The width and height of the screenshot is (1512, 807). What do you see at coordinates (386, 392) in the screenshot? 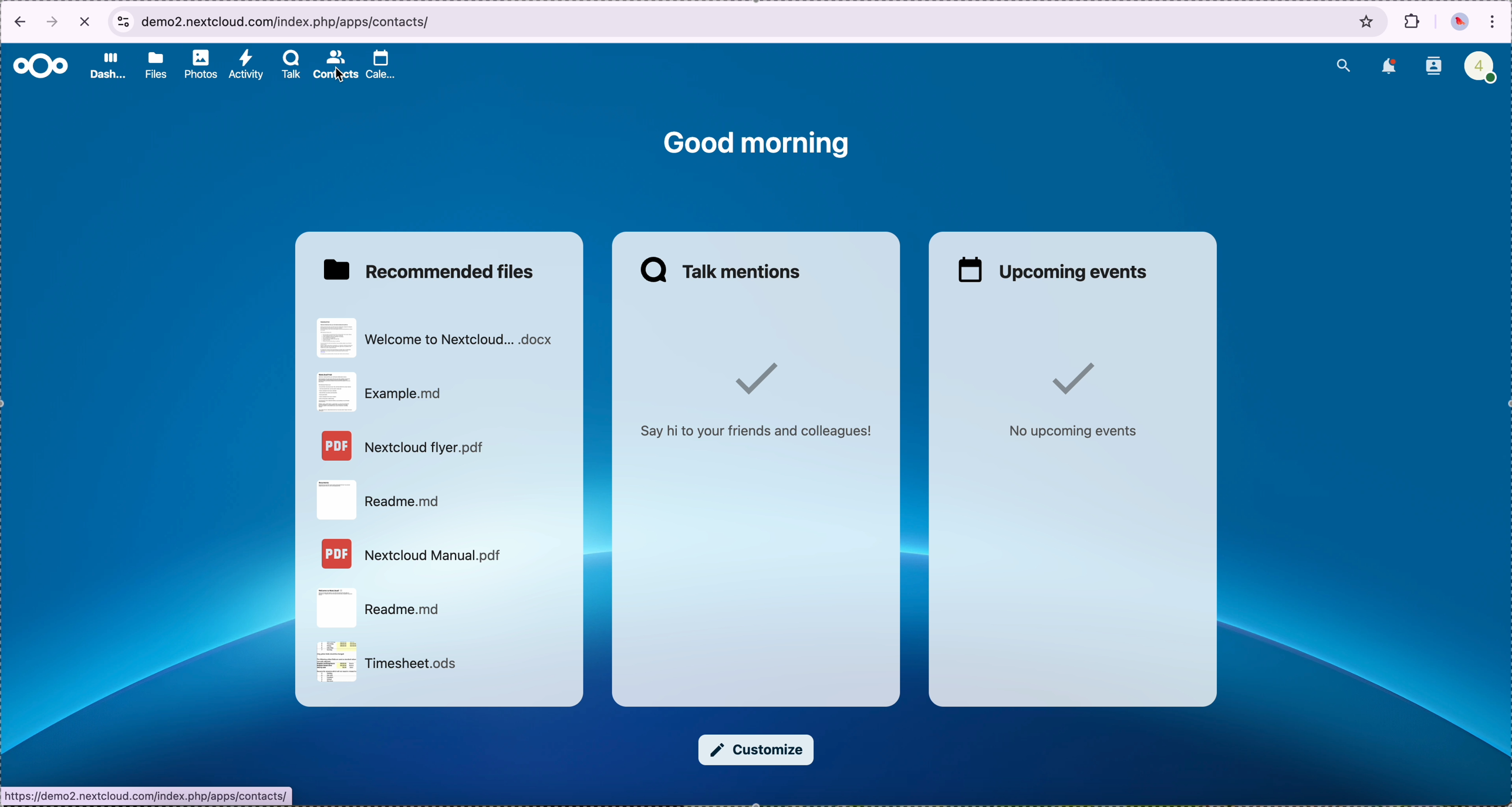
I see `file` at bounding box center [386, 392].